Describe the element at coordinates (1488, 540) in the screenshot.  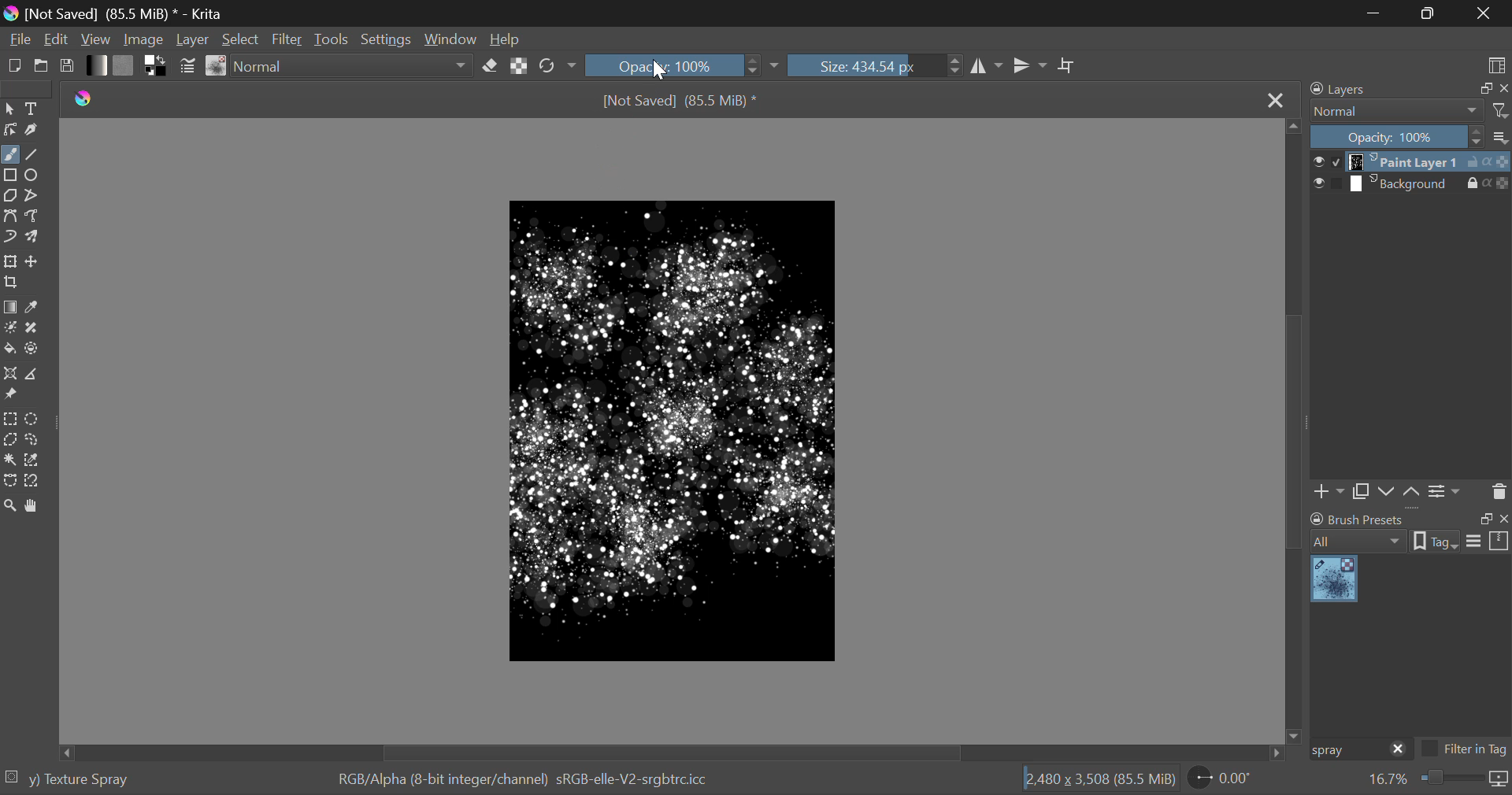
I see `options` at that location.